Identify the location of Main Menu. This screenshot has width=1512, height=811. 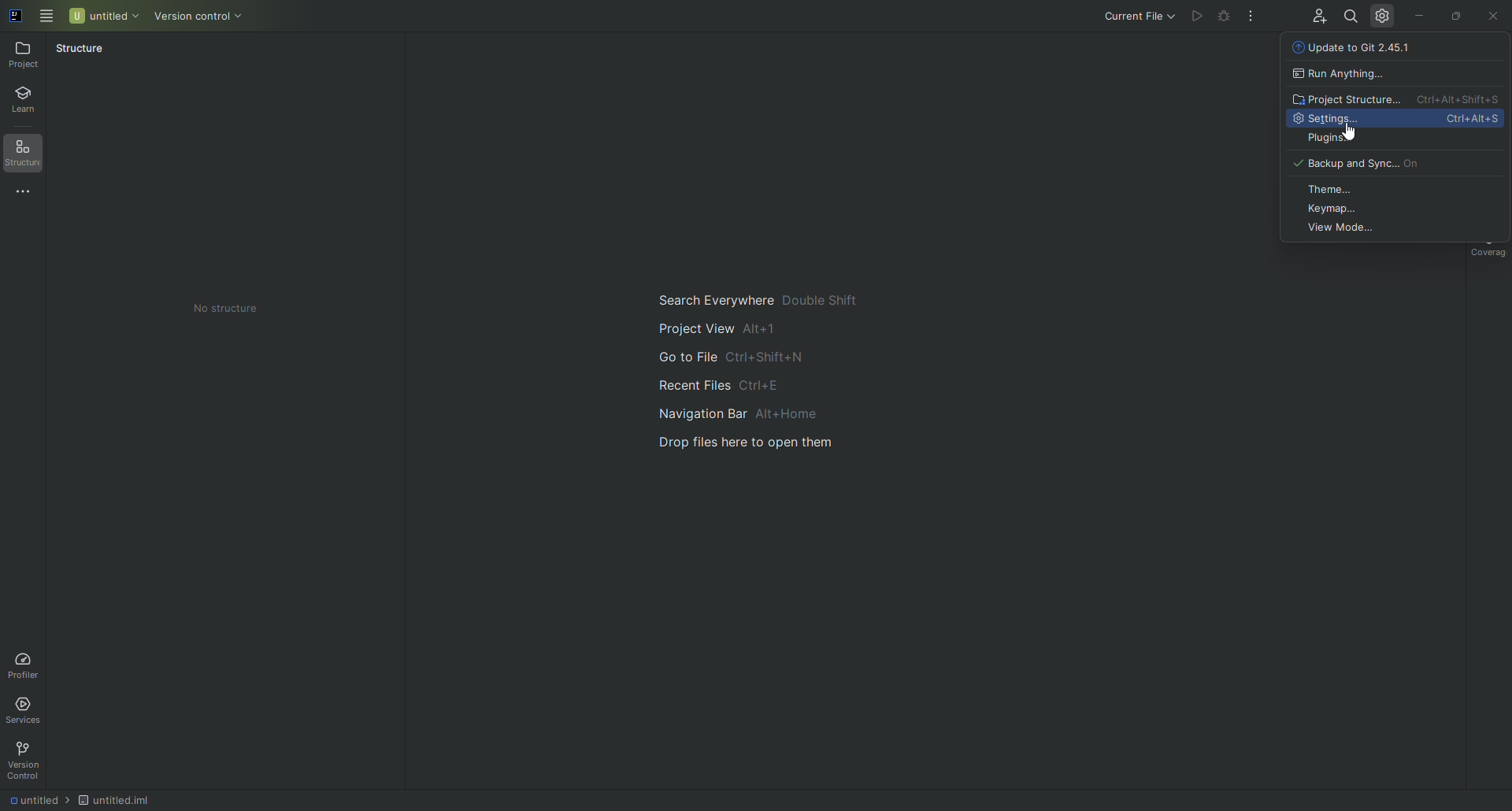
(48, 18).